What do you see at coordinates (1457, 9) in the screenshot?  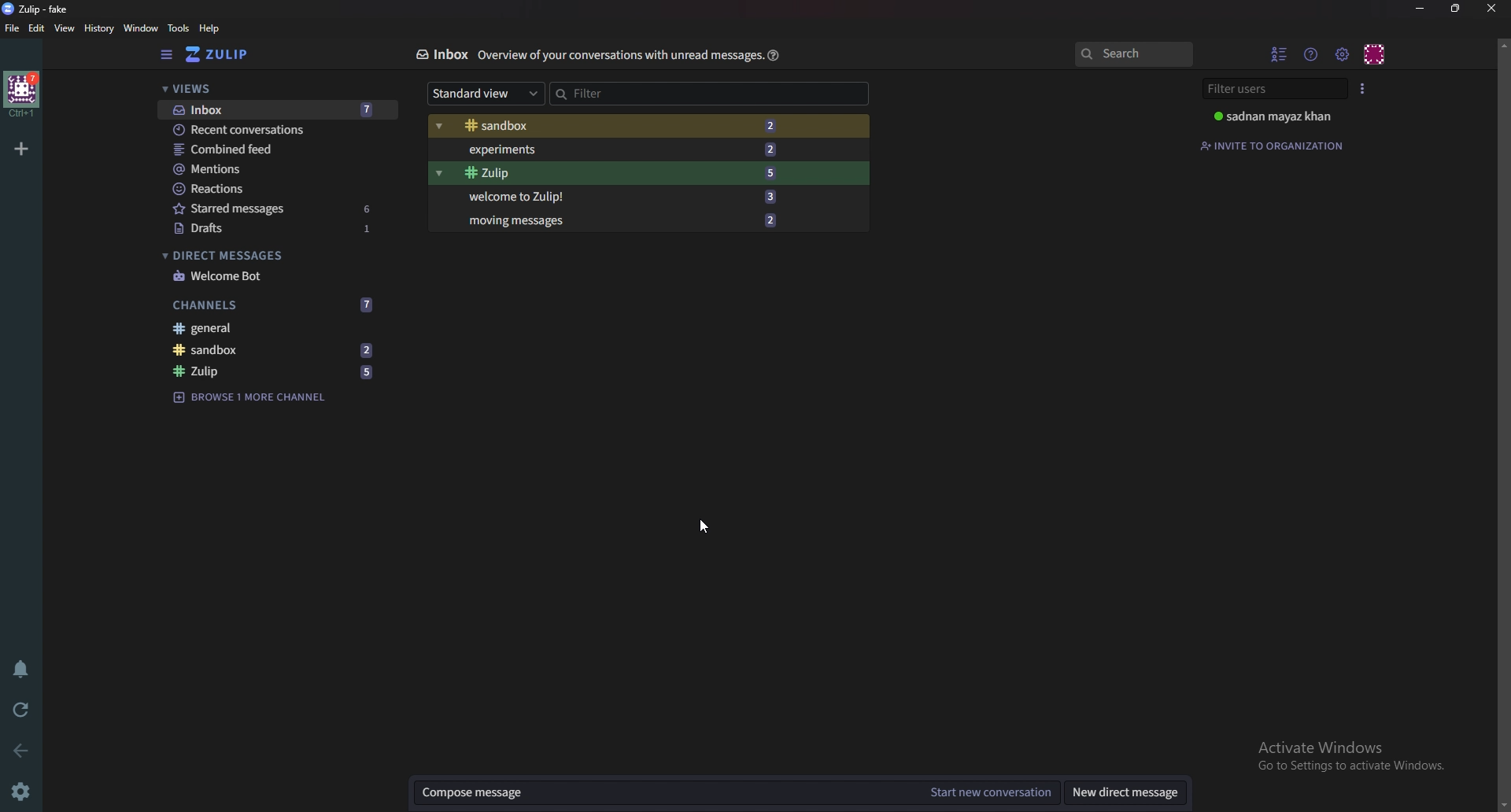 I see `resize` at bounding box center [1457, 9].